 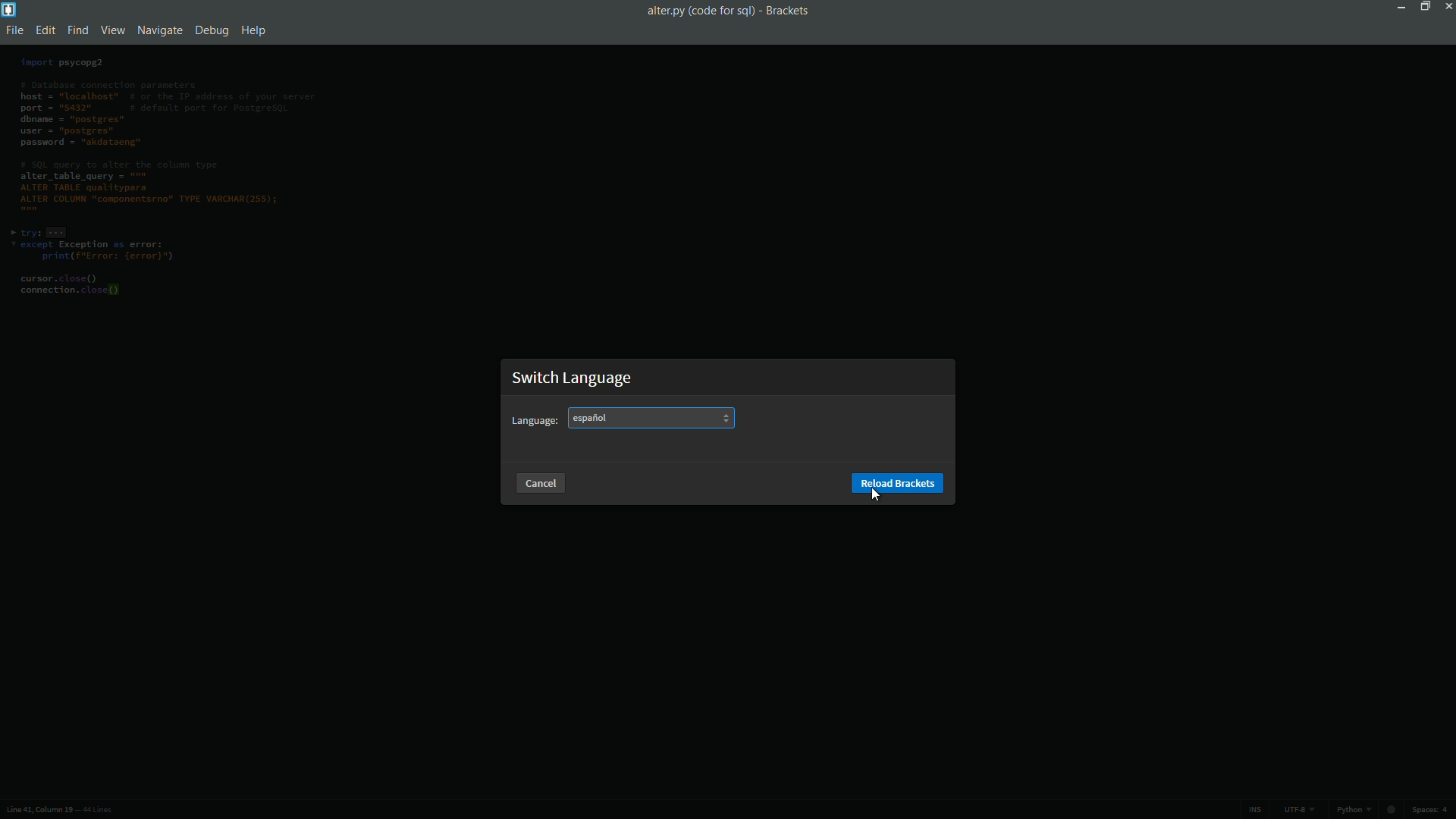 I want to click on space, so click(x=1429, y=809).